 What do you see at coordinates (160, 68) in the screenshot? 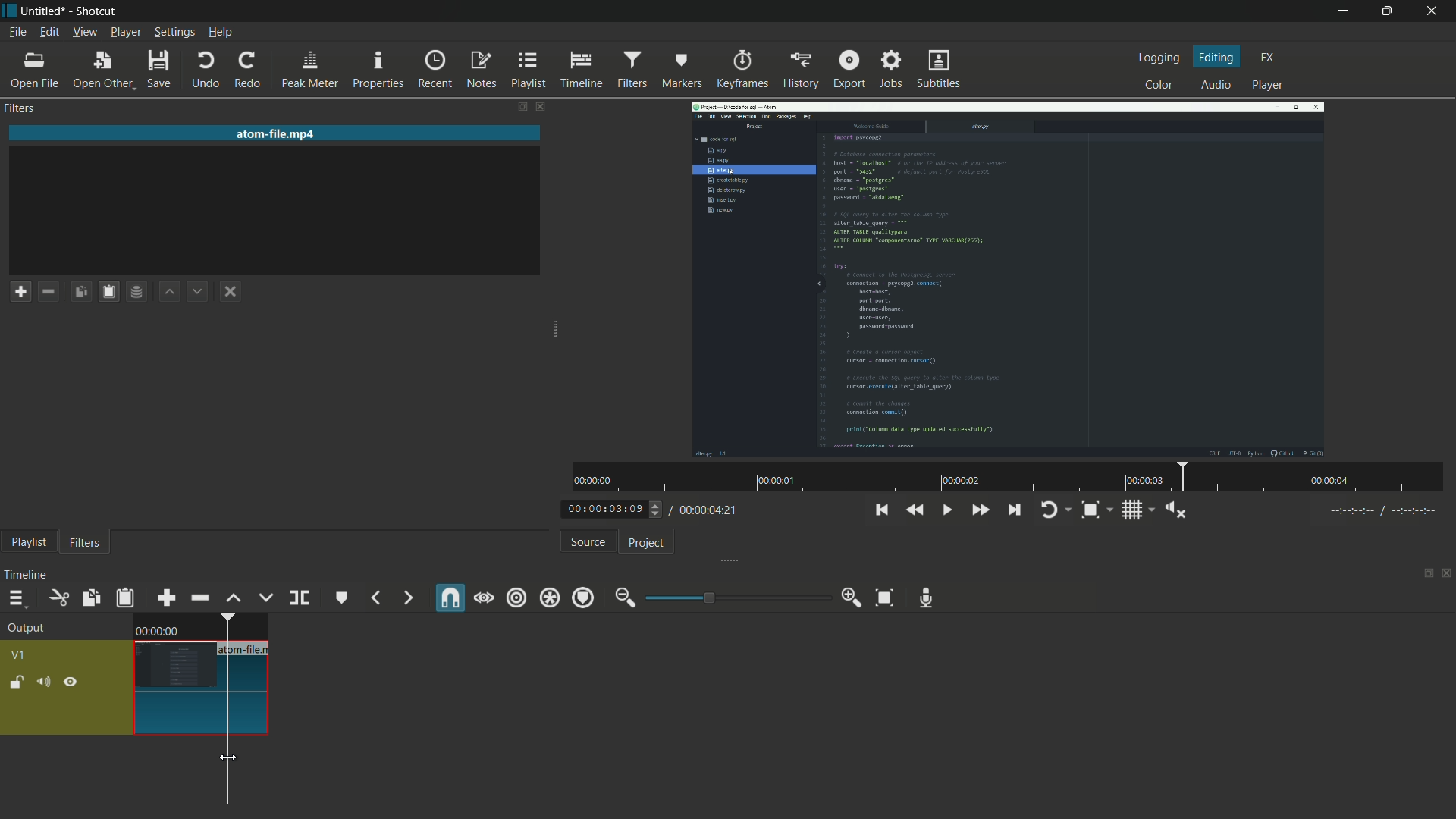
I see `save` at bounding box center [160, 68].